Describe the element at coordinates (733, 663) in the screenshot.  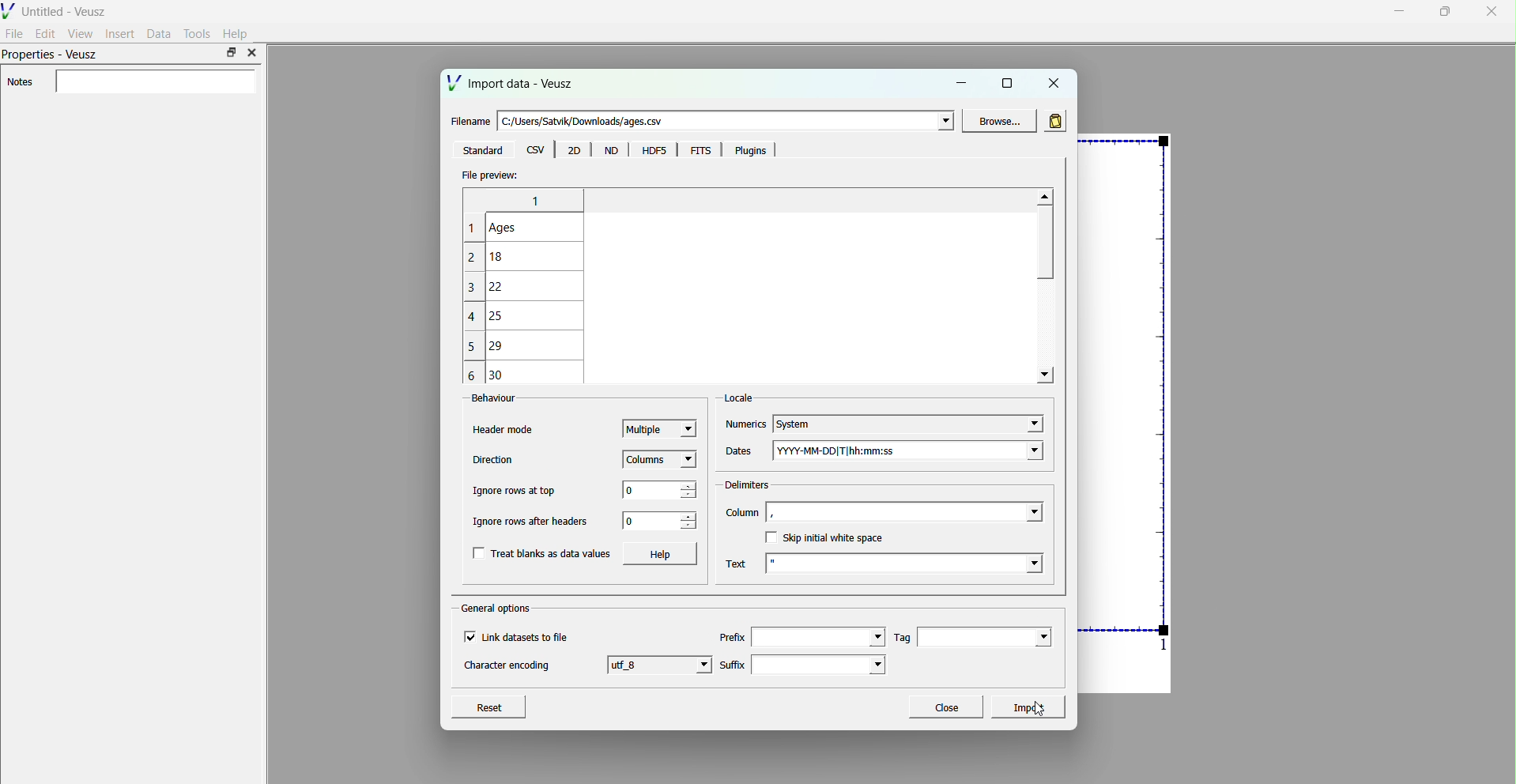
I see `Suffix` at that location.